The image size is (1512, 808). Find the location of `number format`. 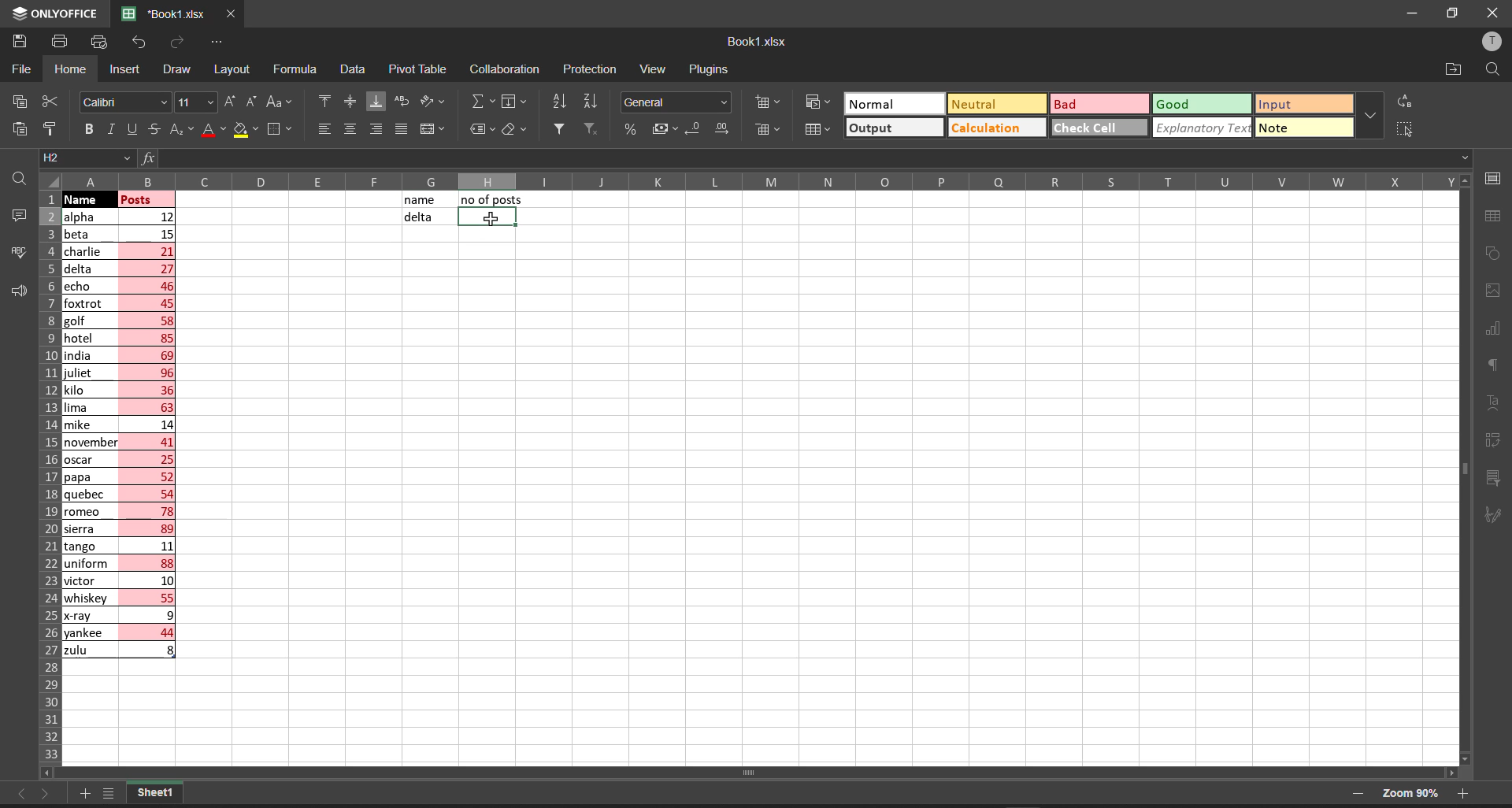

number format is located at coordinates (676, 102).